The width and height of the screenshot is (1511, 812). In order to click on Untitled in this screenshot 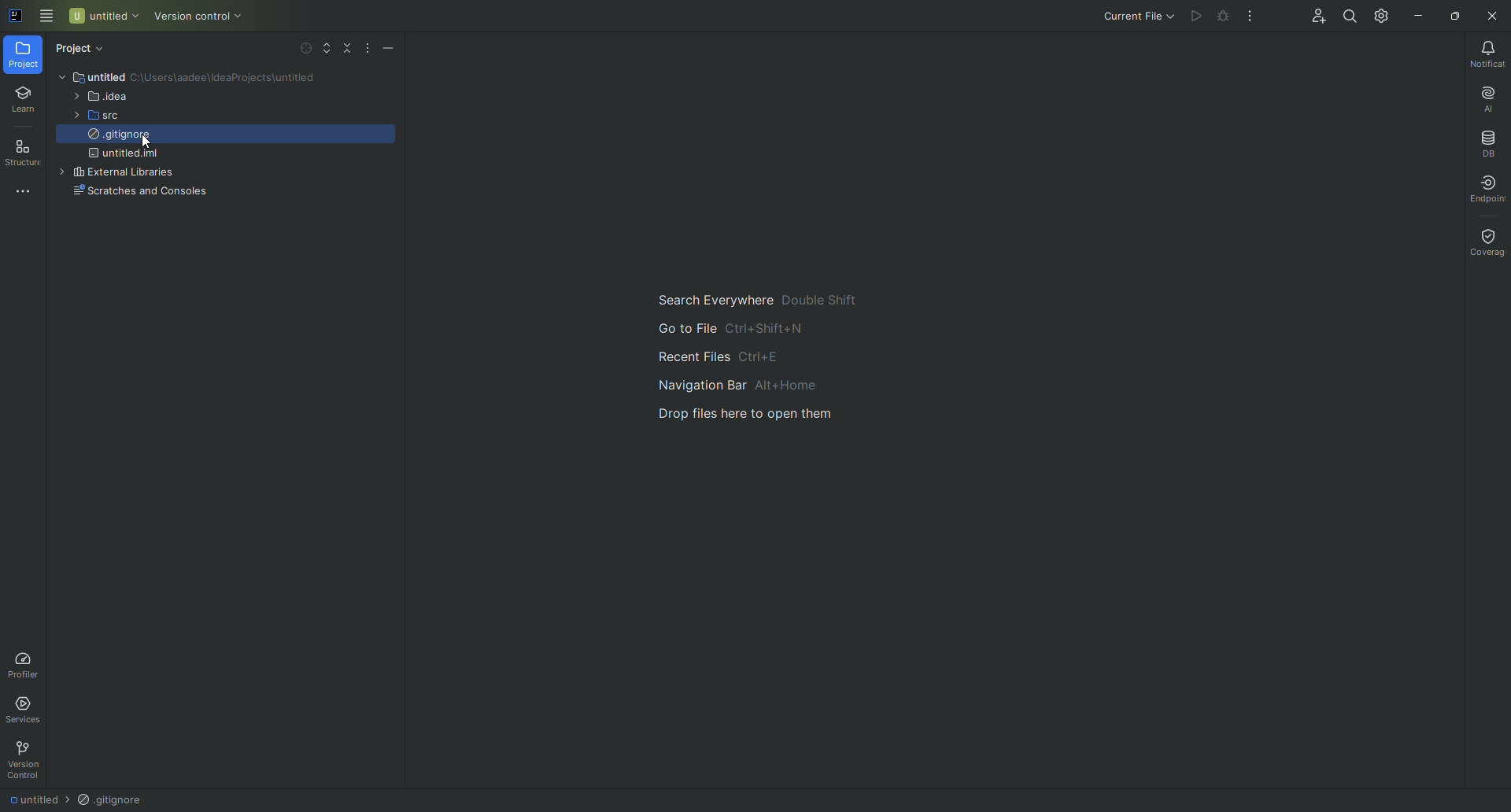, I will do `click(29, 799)`.